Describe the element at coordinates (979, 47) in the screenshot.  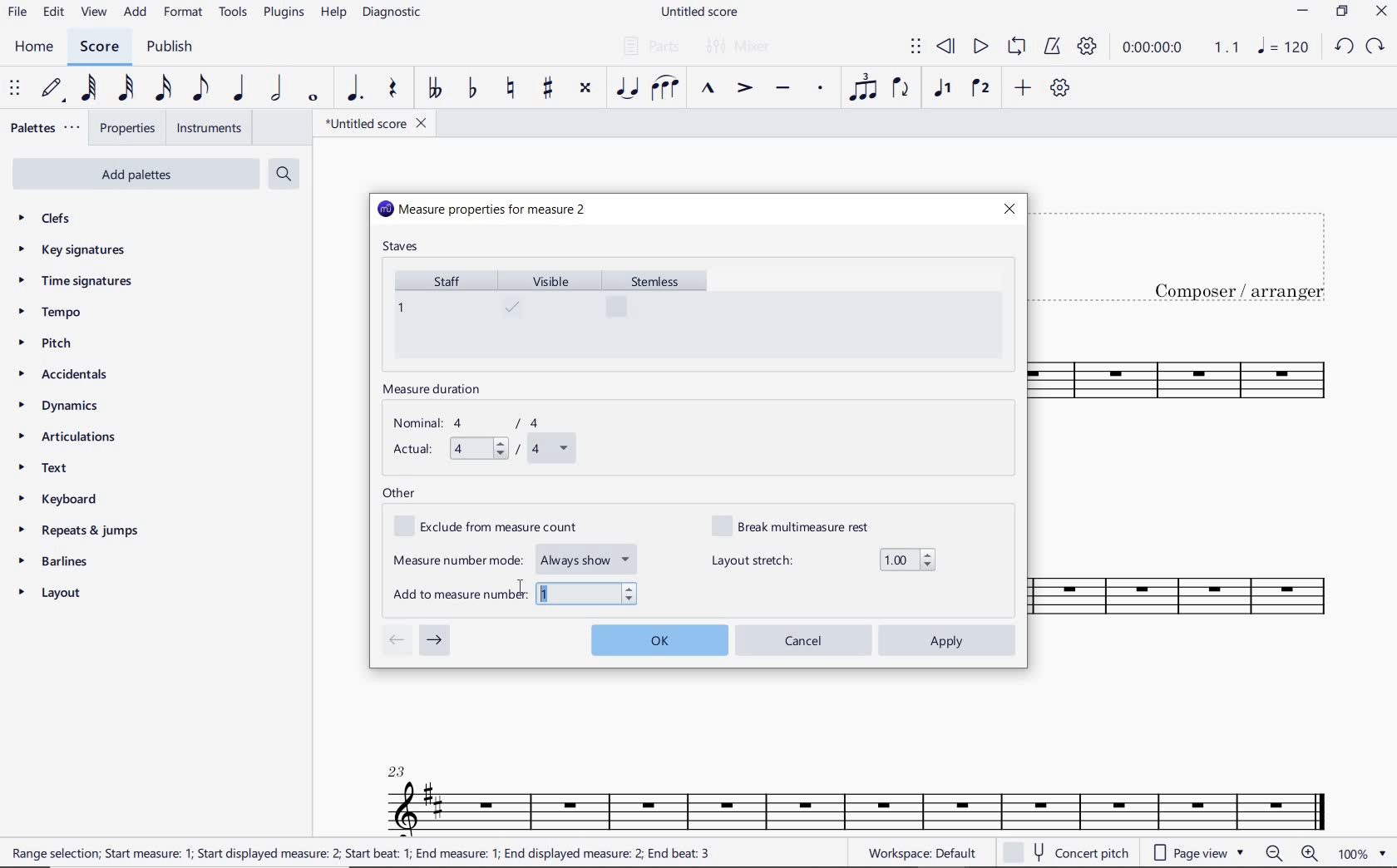
I see `PLAY` at that location.